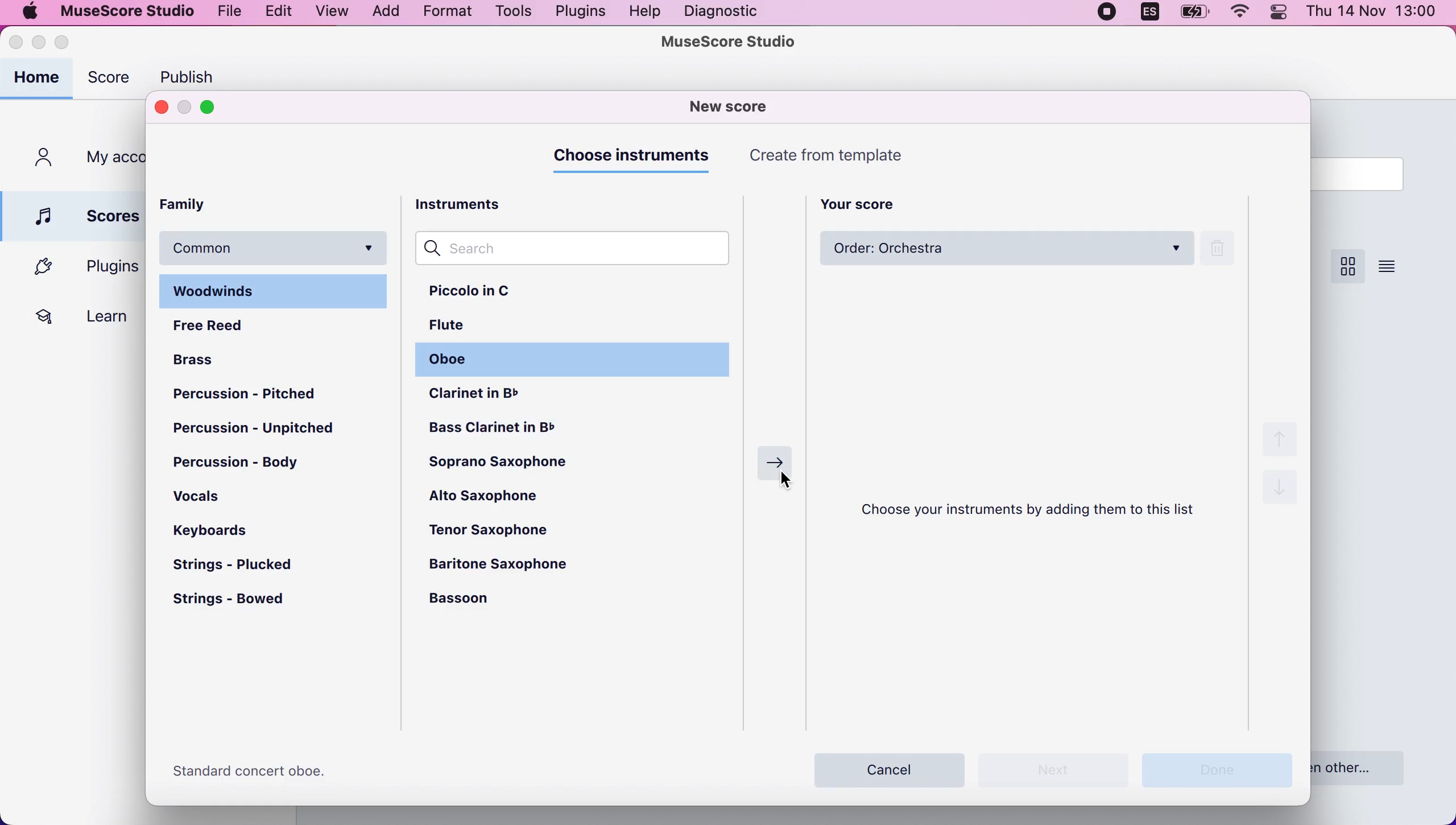 The height and width of the screenshot is (825, 1456). I want to click on open other, so click(1368, 766).